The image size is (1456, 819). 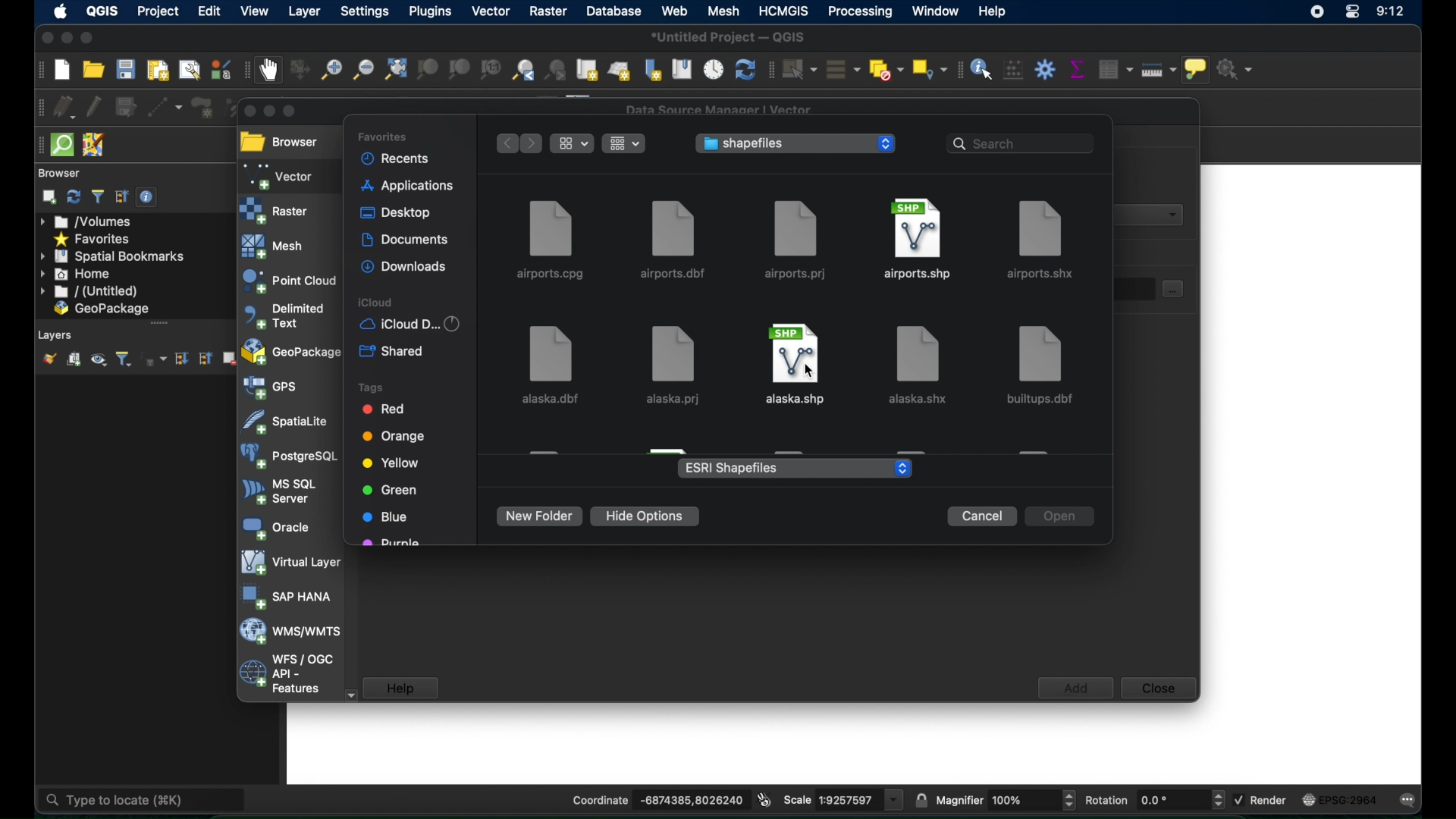 I want to click on forward, so click(x=532, y=144).